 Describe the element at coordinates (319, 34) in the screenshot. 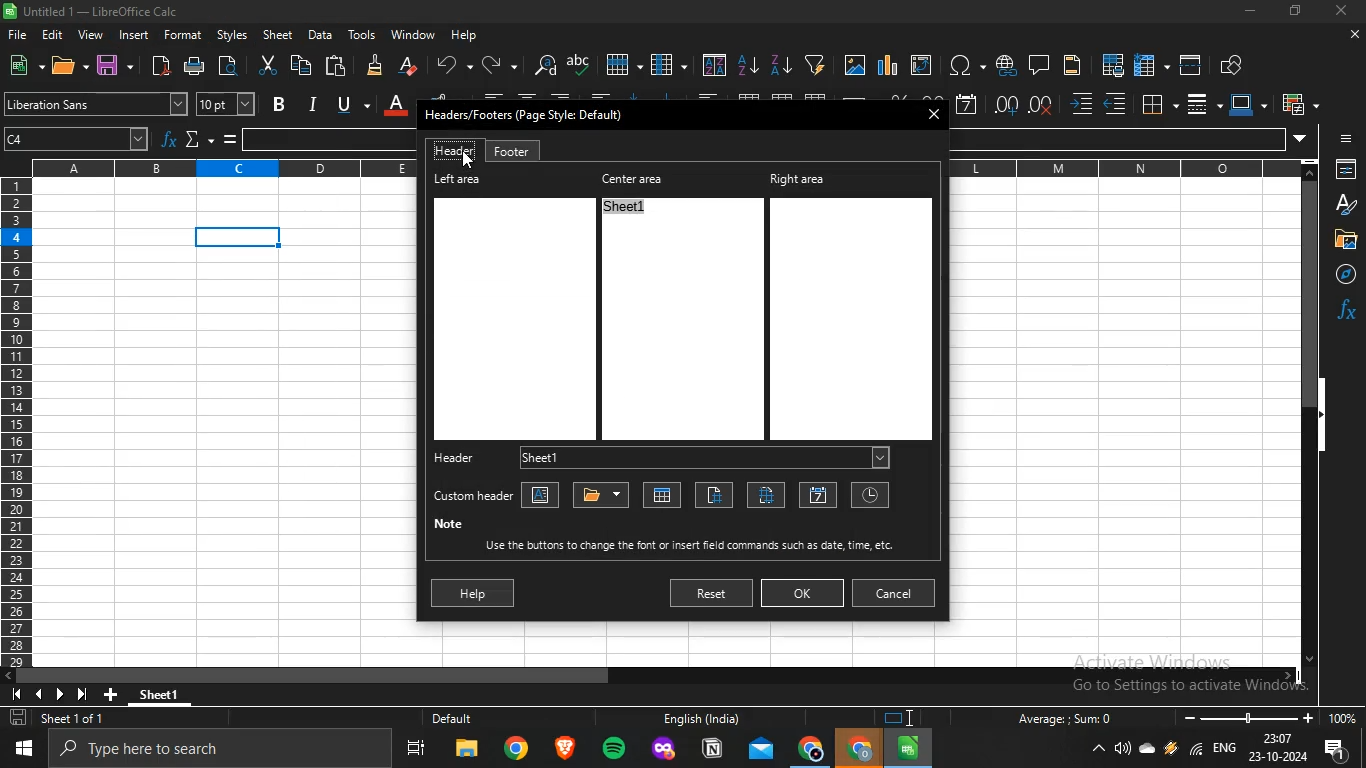

I see `data` at that location.